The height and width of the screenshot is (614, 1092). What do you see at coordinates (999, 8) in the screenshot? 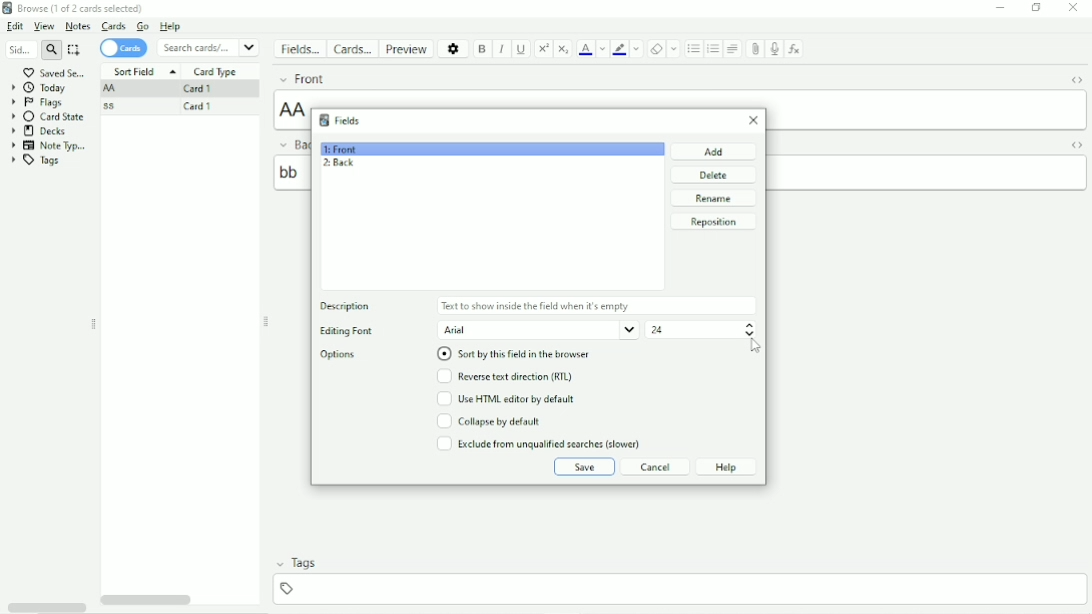
I see `Minimize` at bounding box center [999, 8].